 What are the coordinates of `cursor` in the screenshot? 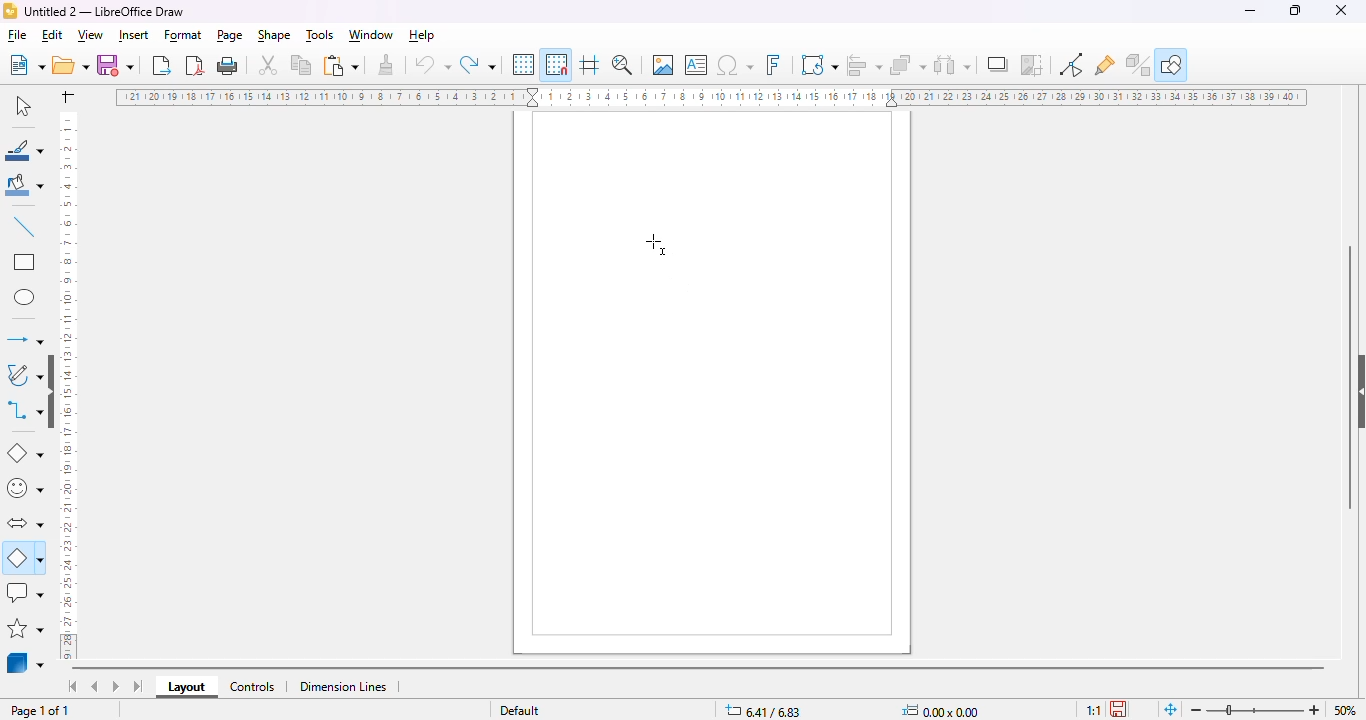 It's located at (654, 244).